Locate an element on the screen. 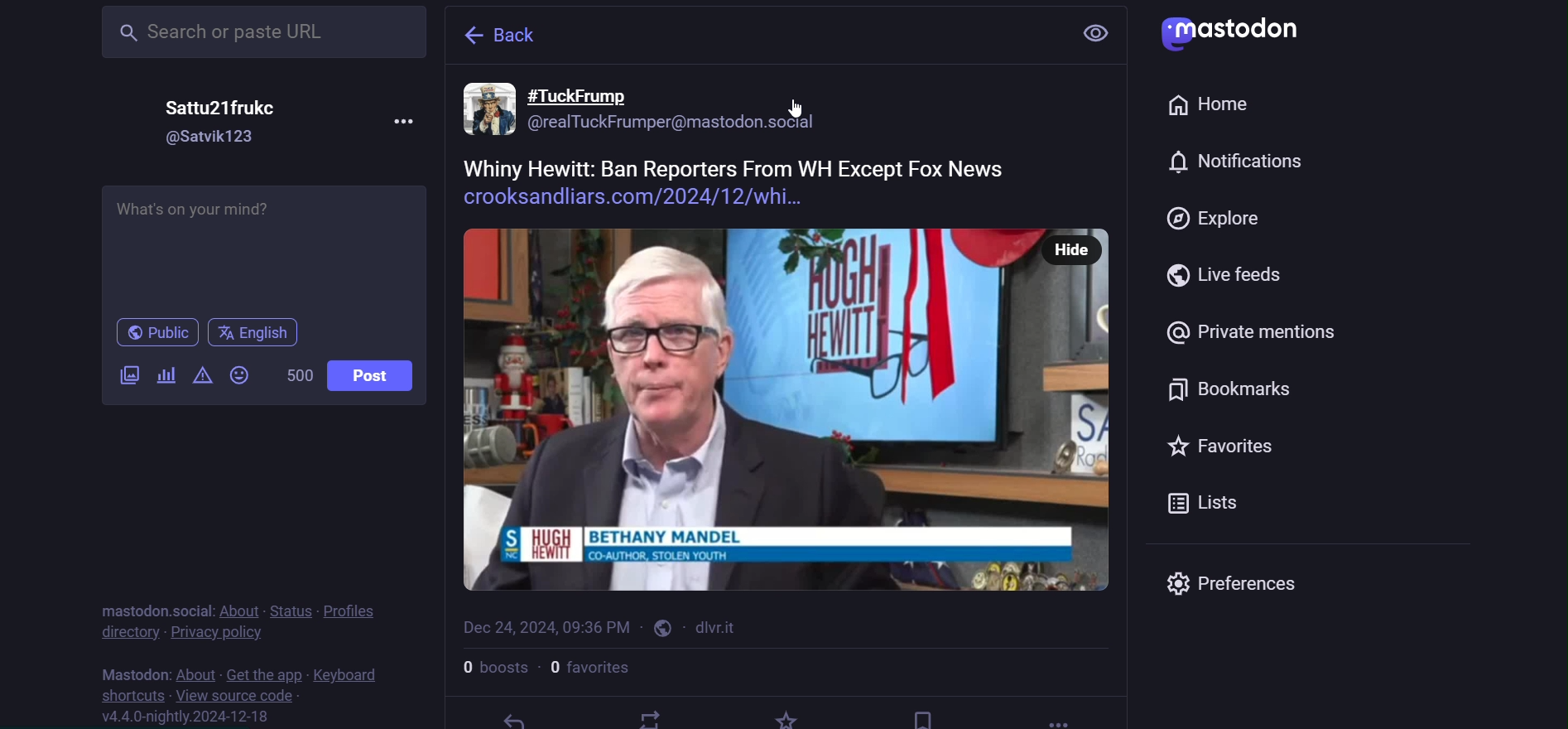  home is located at coordinates (1215, 107).